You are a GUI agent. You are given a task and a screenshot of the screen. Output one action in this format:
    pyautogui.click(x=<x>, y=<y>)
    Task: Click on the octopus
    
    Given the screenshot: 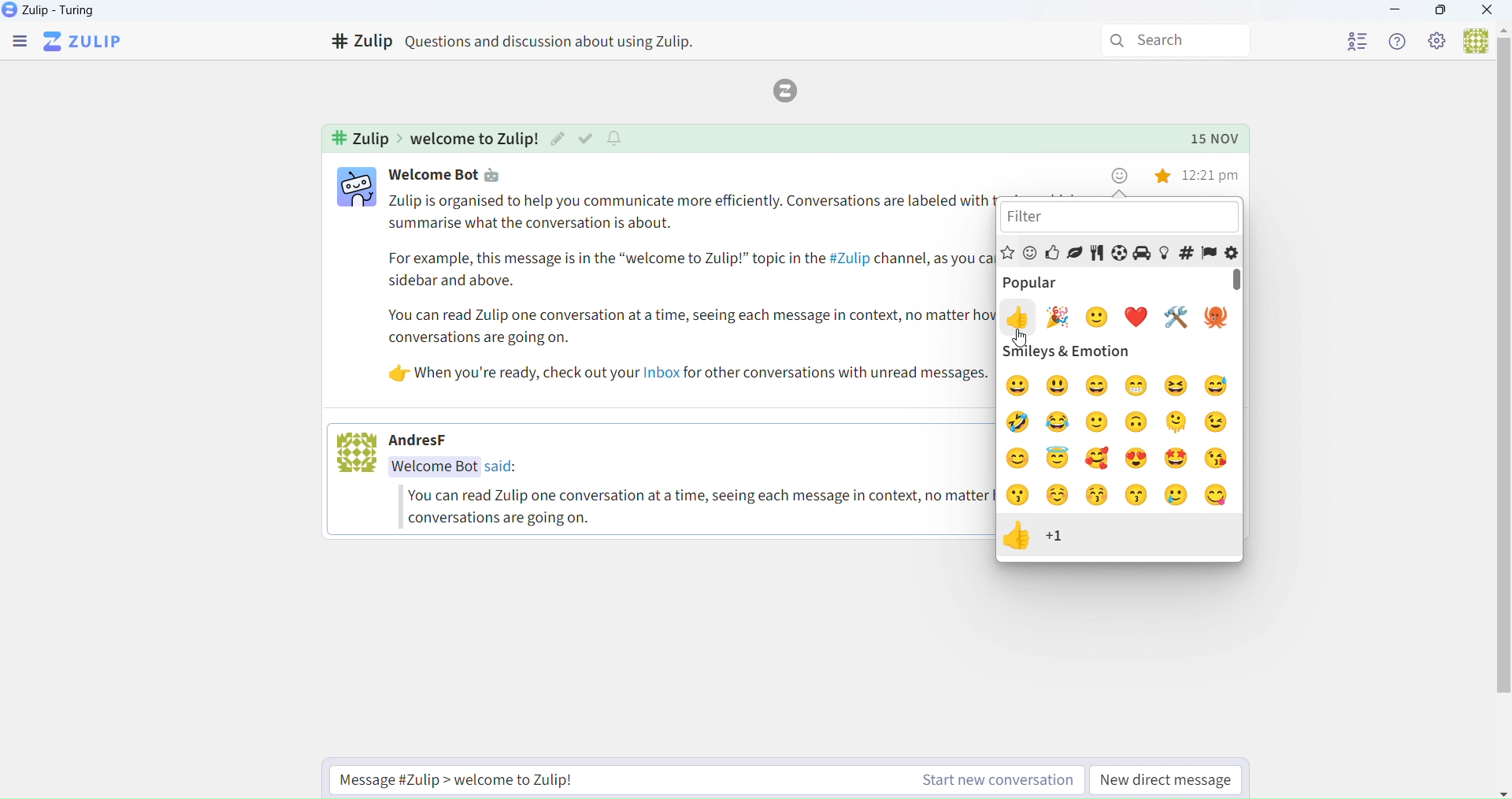 What is the action you would take?
    pyautogui.click(x=1214, y=318)
    